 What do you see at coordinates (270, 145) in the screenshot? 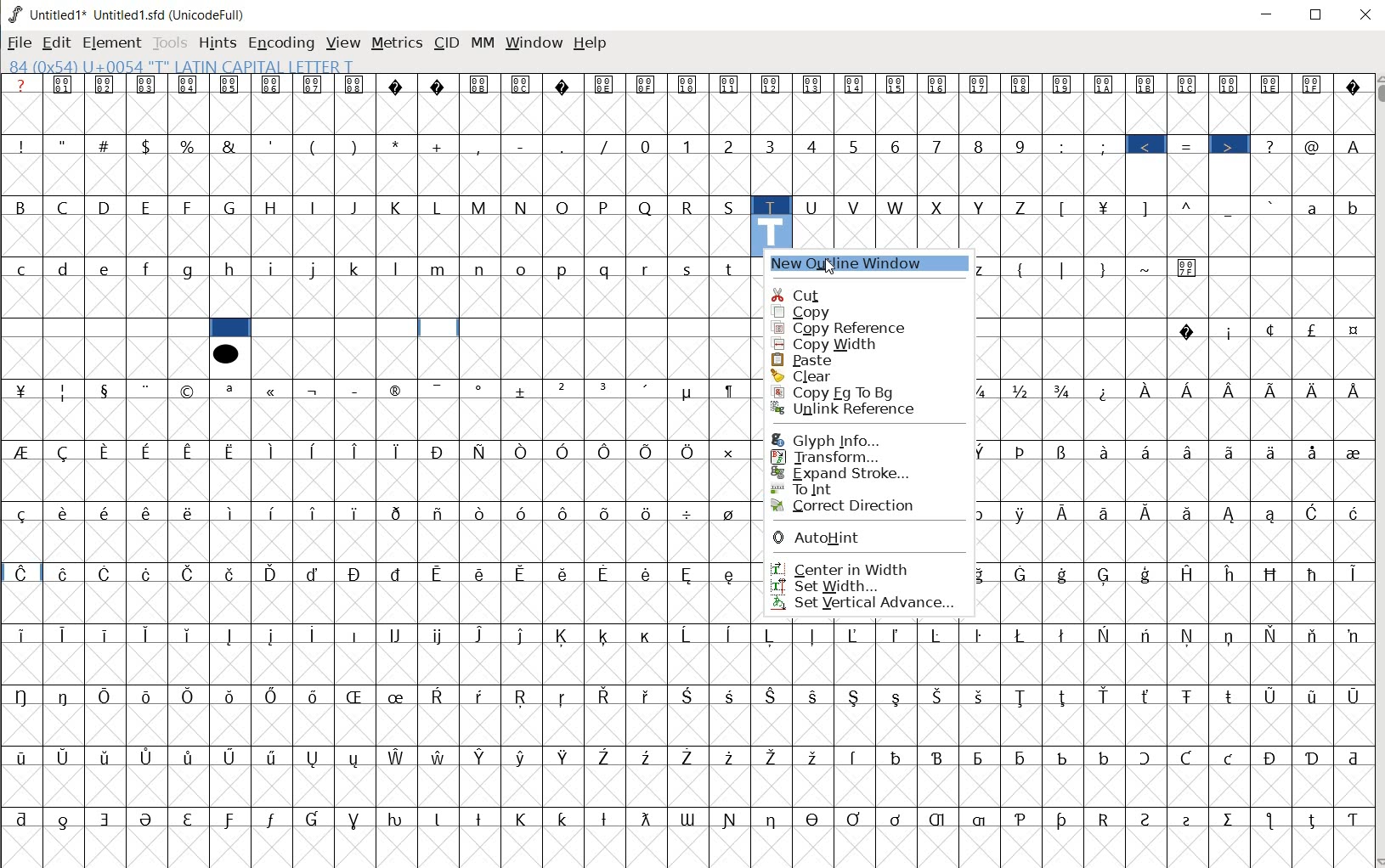
I see `'` at bounding box center [270, 145].